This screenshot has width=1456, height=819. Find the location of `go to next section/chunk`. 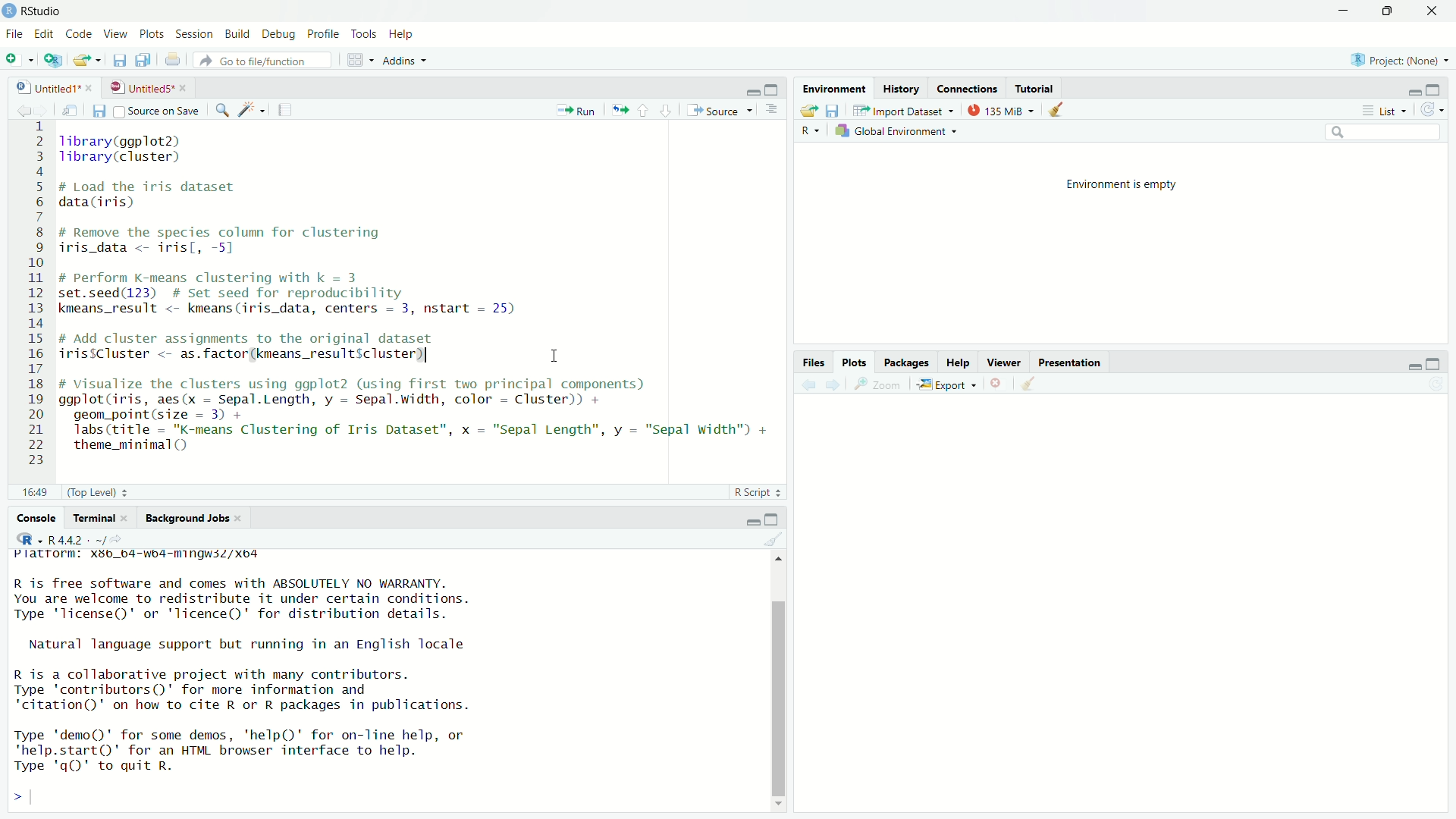

go to next section/chunk is located at coordinates (667, 111).